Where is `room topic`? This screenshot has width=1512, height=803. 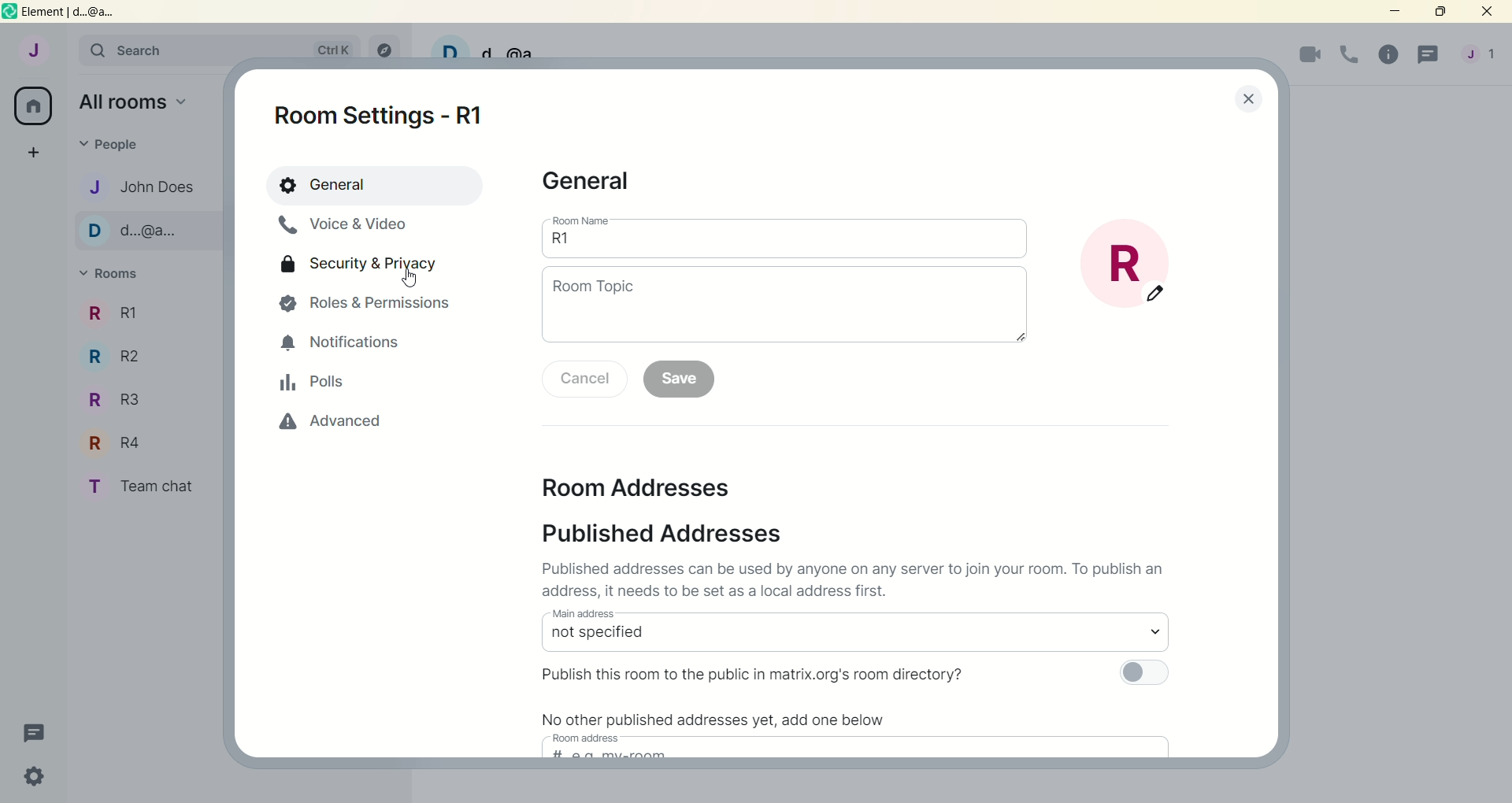 room topic is located at coordinates (784, 309).